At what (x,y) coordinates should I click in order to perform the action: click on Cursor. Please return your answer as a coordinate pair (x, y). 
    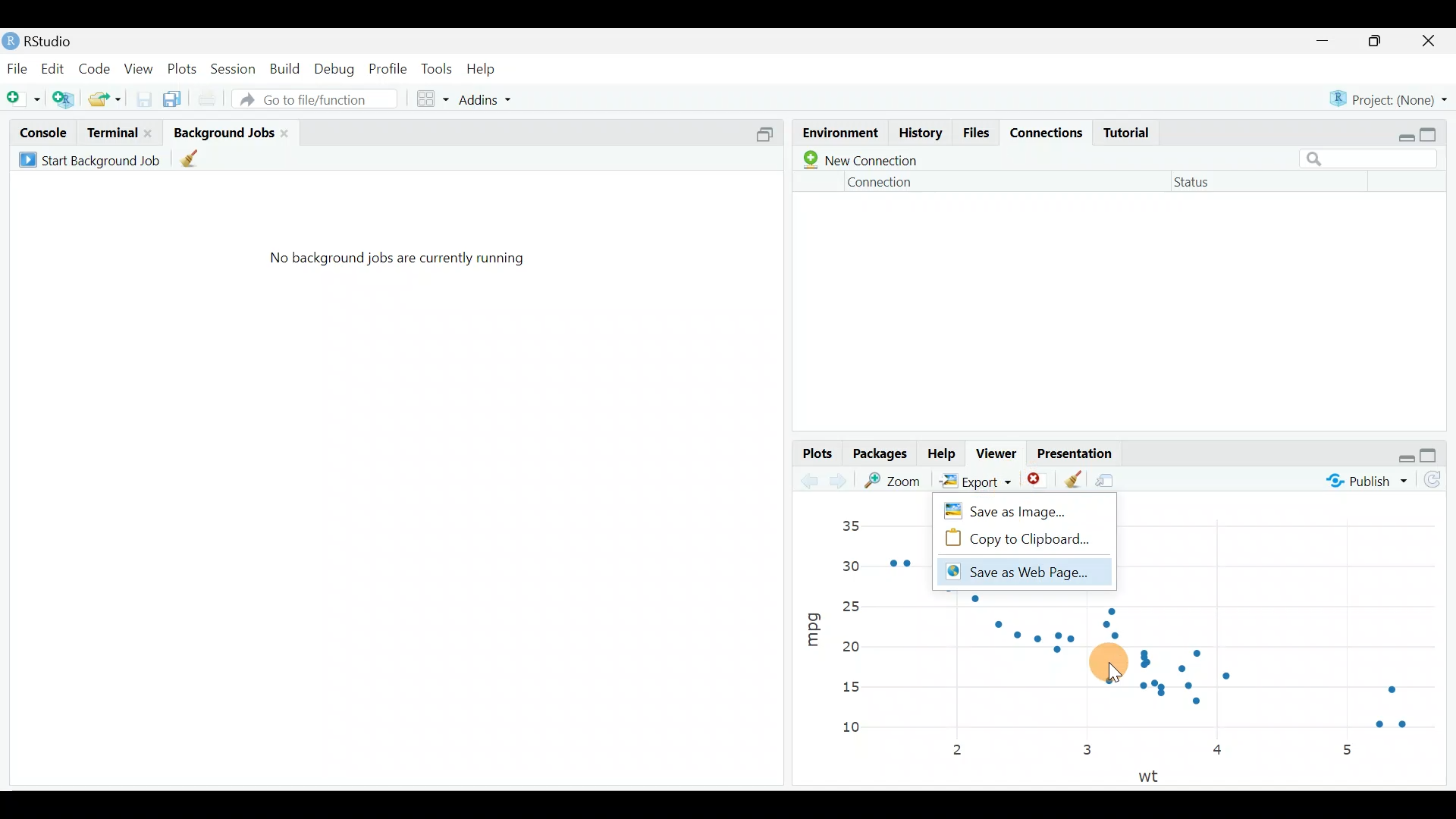
    Looking at the image, I should click on (1109, 662).